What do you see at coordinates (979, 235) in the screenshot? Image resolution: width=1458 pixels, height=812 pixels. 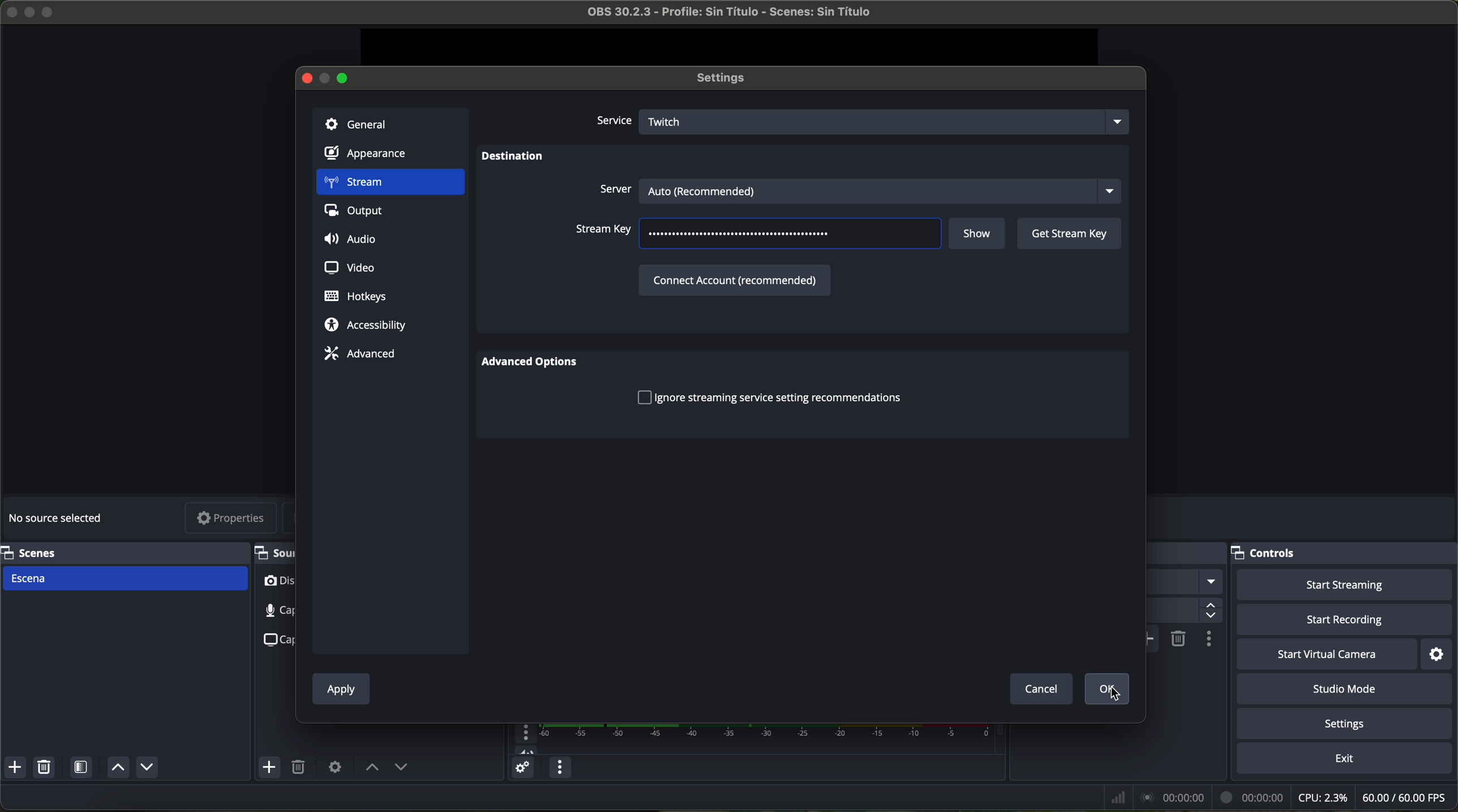 I see `show button` at bounding box center [979, 235].